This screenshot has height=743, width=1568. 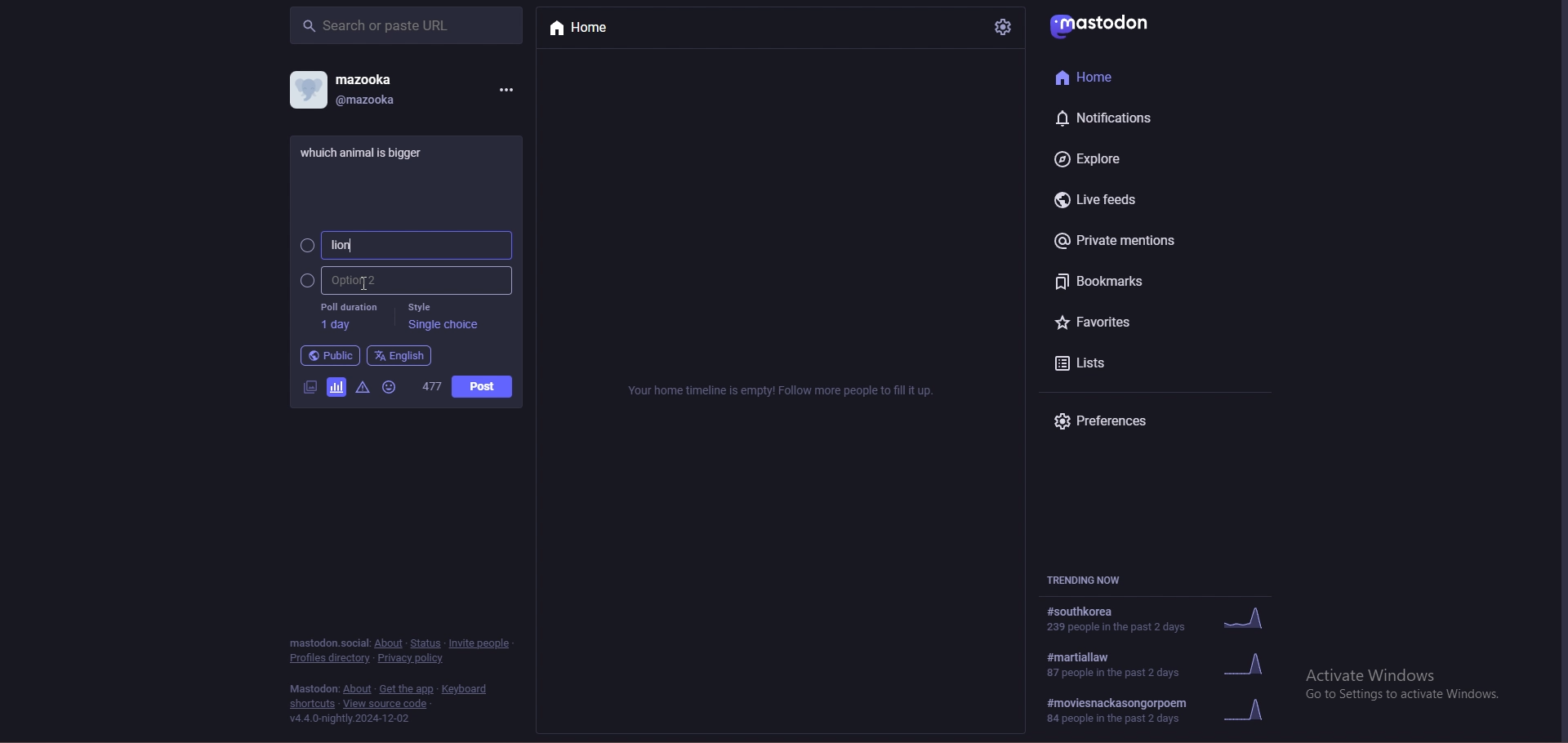 I want to click on get the app, so click(x=406, y=689).